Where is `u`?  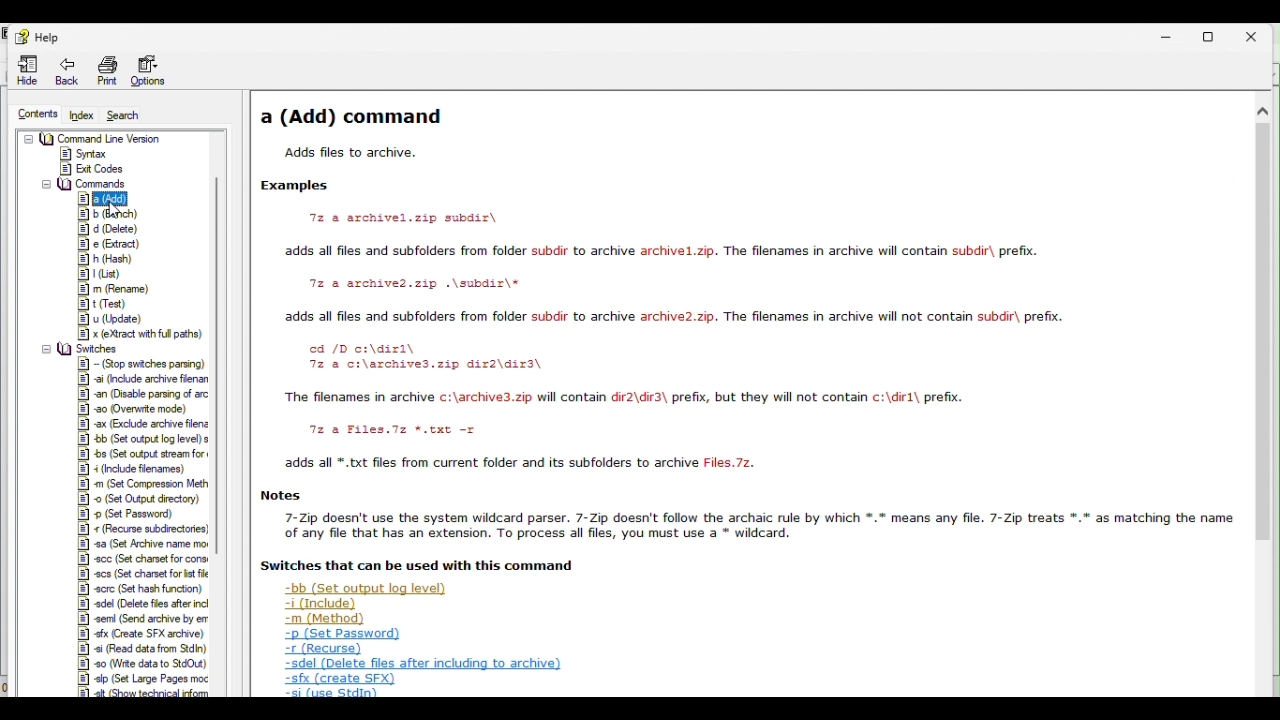 u is located at coordinates (118, 319).